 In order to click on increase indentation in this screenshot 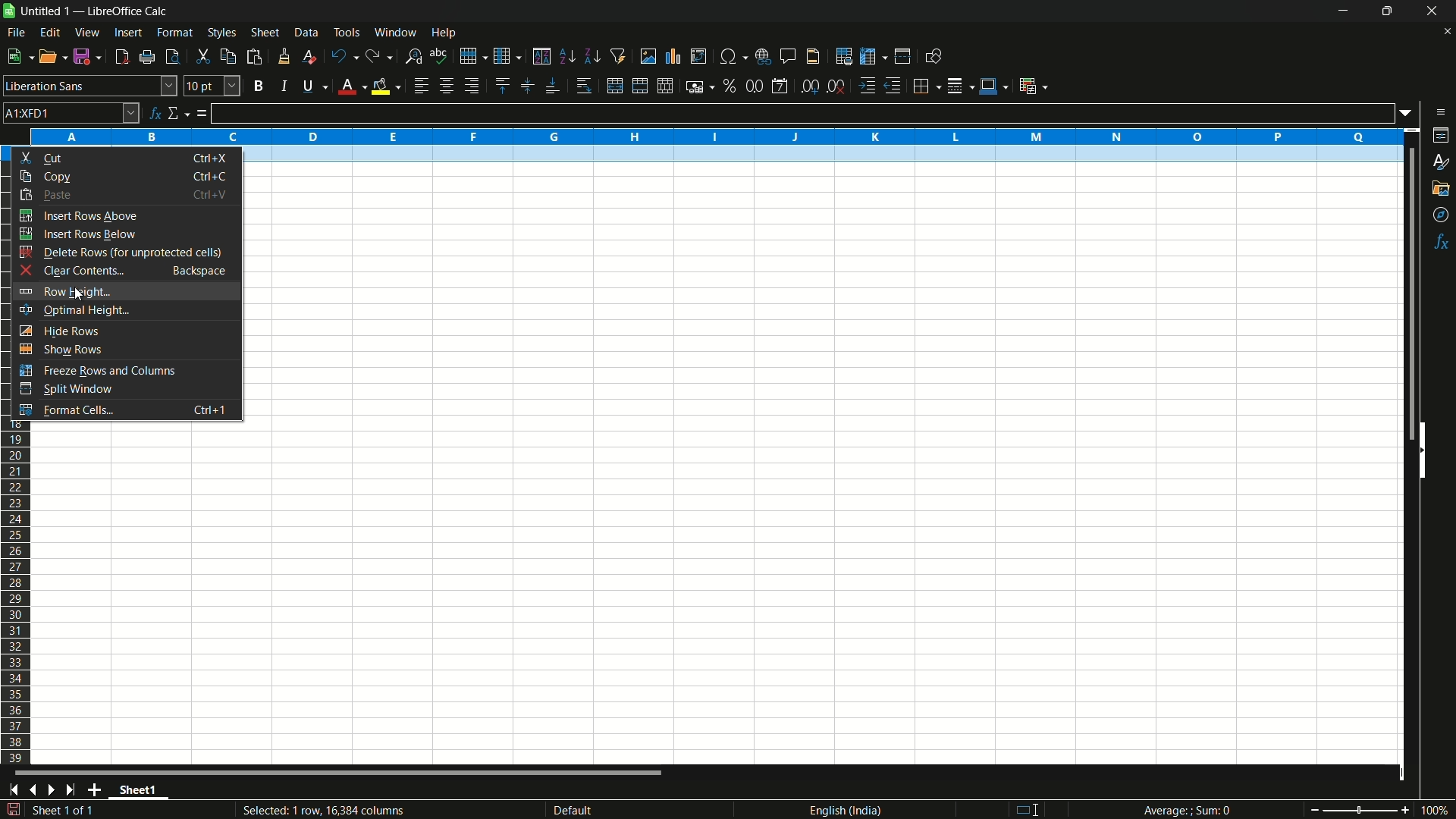, I will do `click(868, 86)`.